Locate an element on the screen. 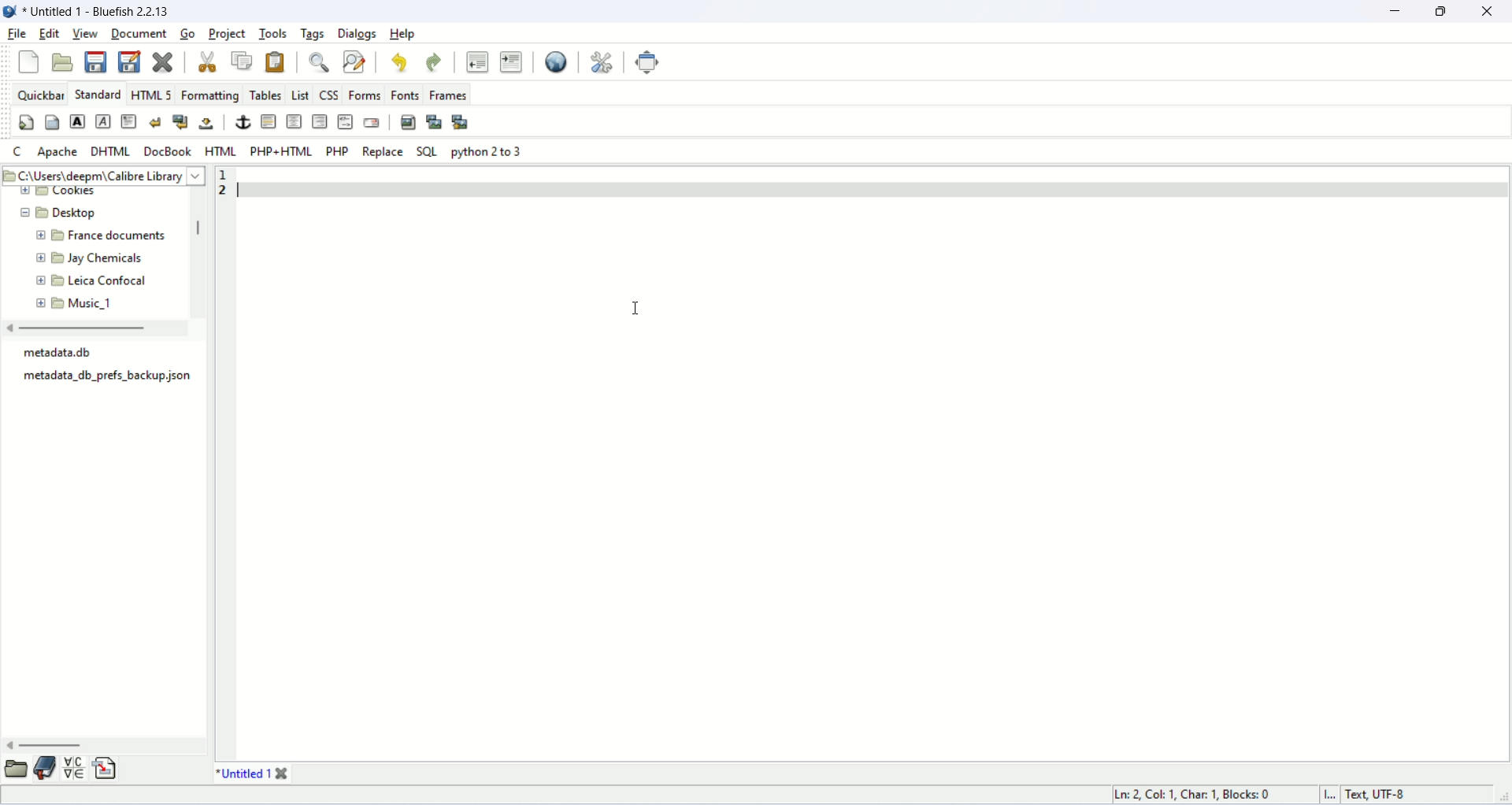 The width and height of the screenshot is (1512, 805). CSS is located at coordinates (332, 95).